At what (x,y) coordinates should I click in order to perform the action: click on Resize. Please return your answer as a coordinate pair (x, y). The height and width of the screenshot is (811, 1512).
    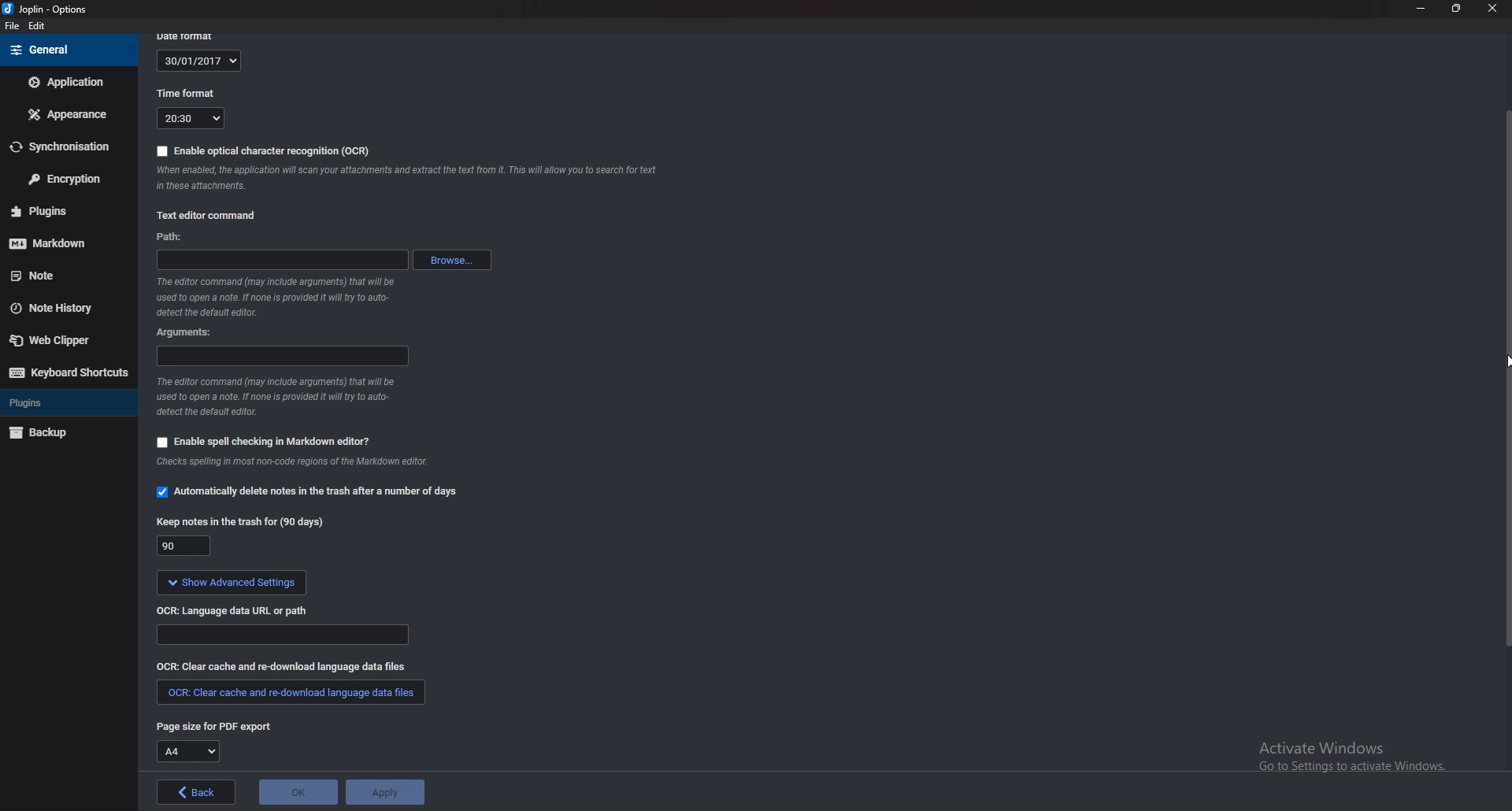
    Looking at the image, I should click on (1457, 9).